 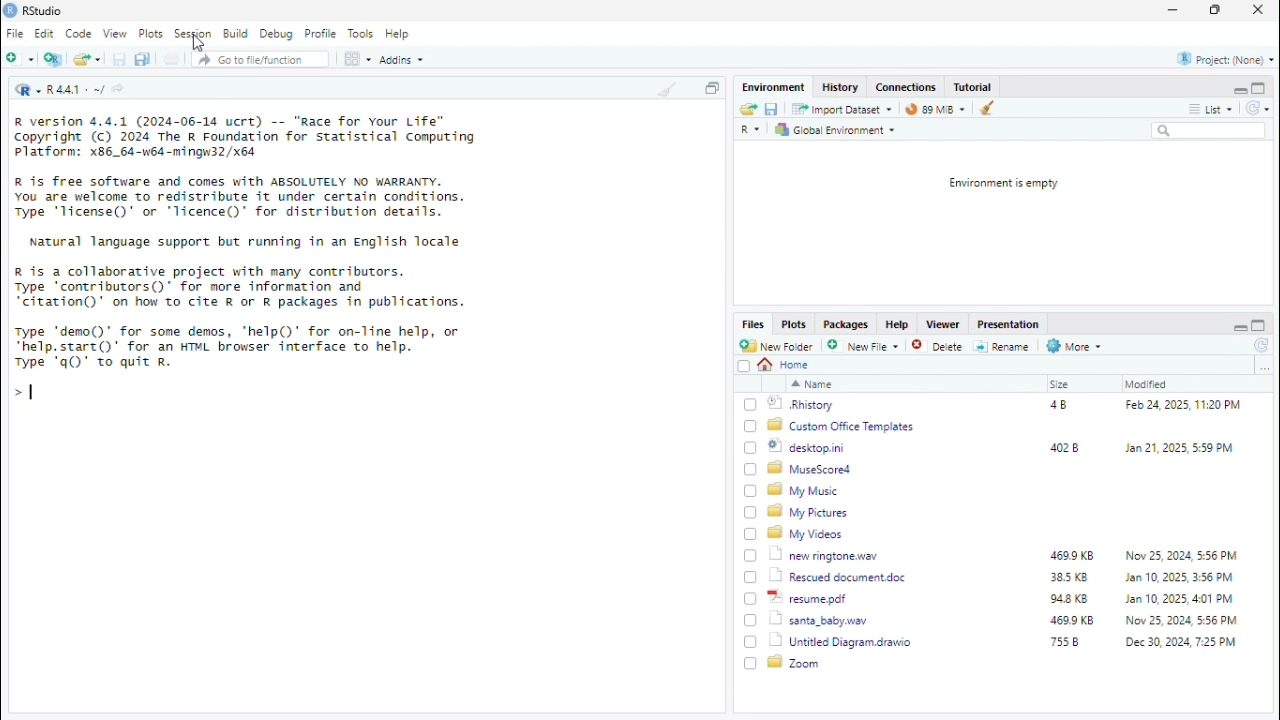 I want to click on File, so click(x=17, y=33).